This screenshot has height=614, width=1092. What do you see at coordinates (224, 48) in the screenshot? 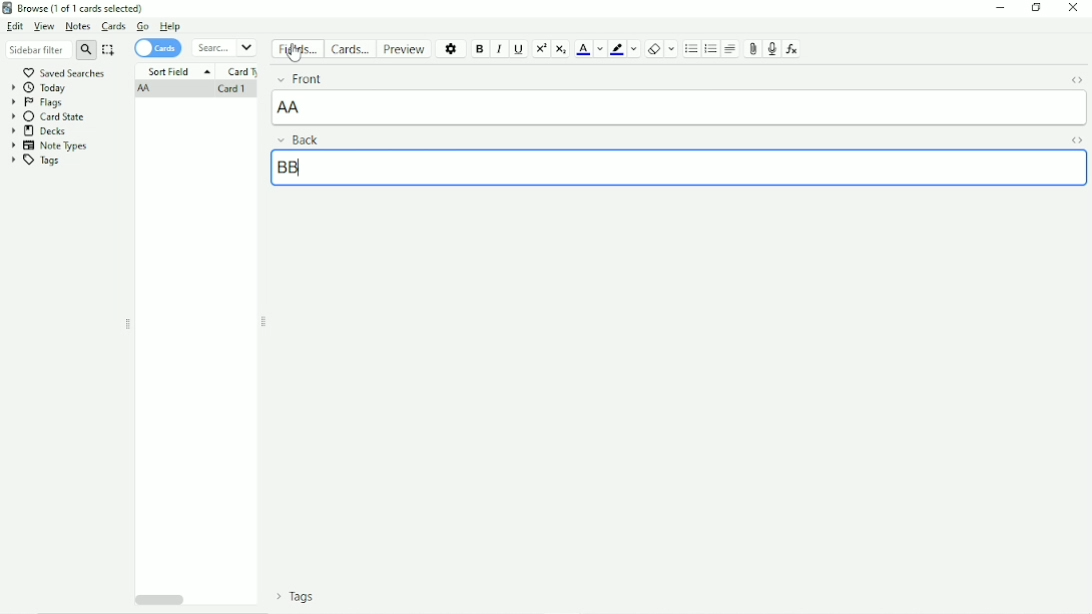
I see `Search` at bounding box center [224, 48].